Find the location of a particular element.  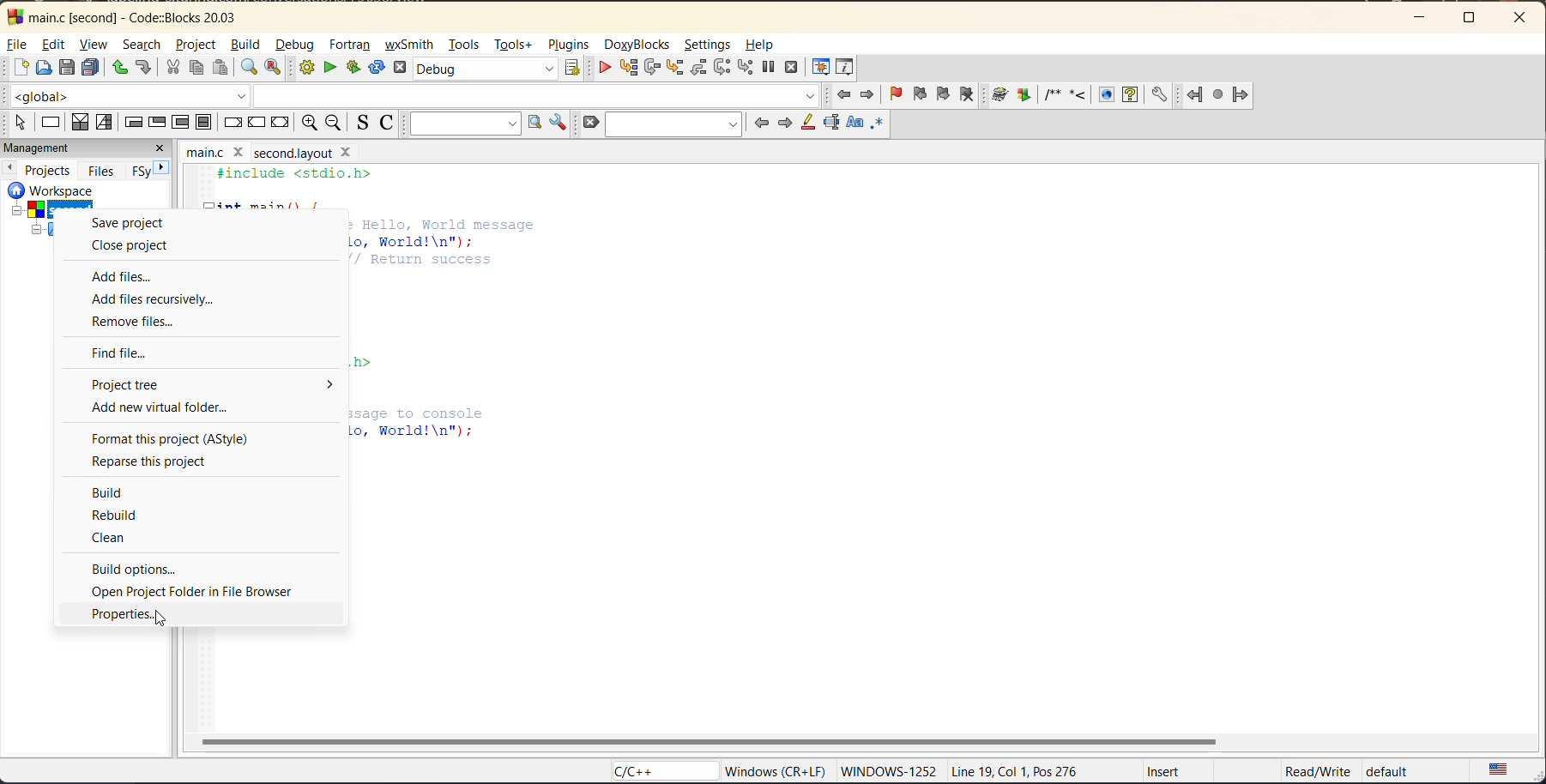

project is located at coordinates (190, 43).